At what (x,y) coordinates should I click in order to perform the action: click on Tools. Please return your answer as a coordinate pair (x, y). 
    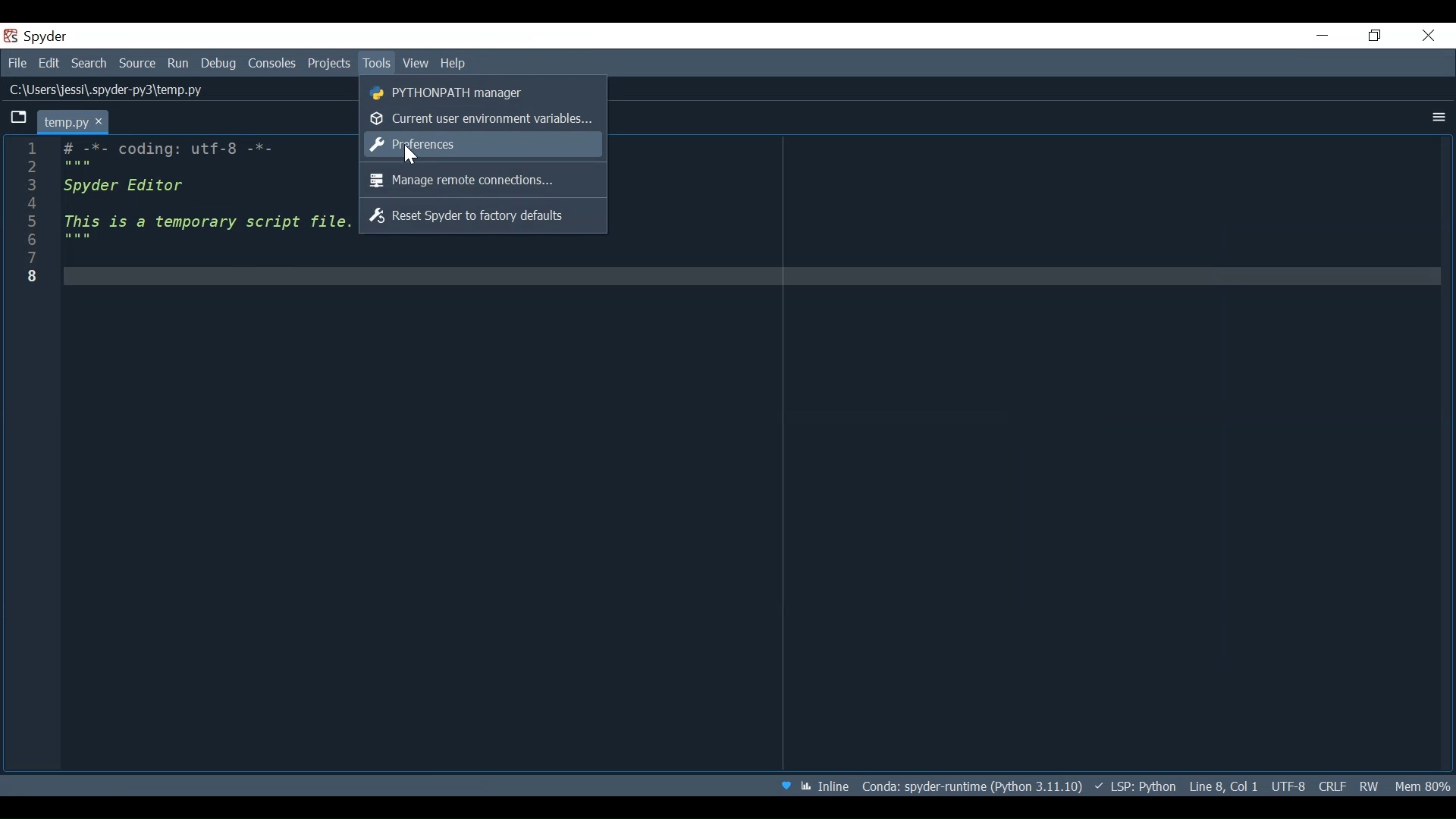
    Looking at the image, I should click on (378, 63).